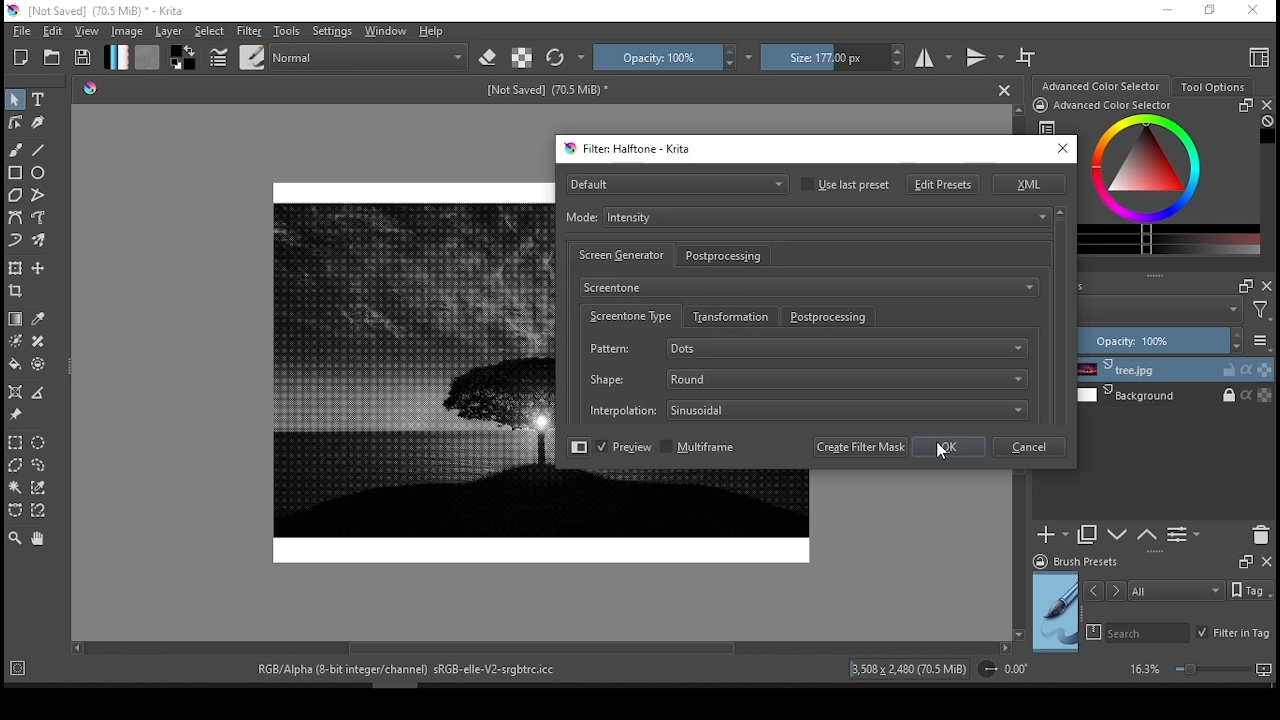  I want to click on fill tool, so click(15, 364).